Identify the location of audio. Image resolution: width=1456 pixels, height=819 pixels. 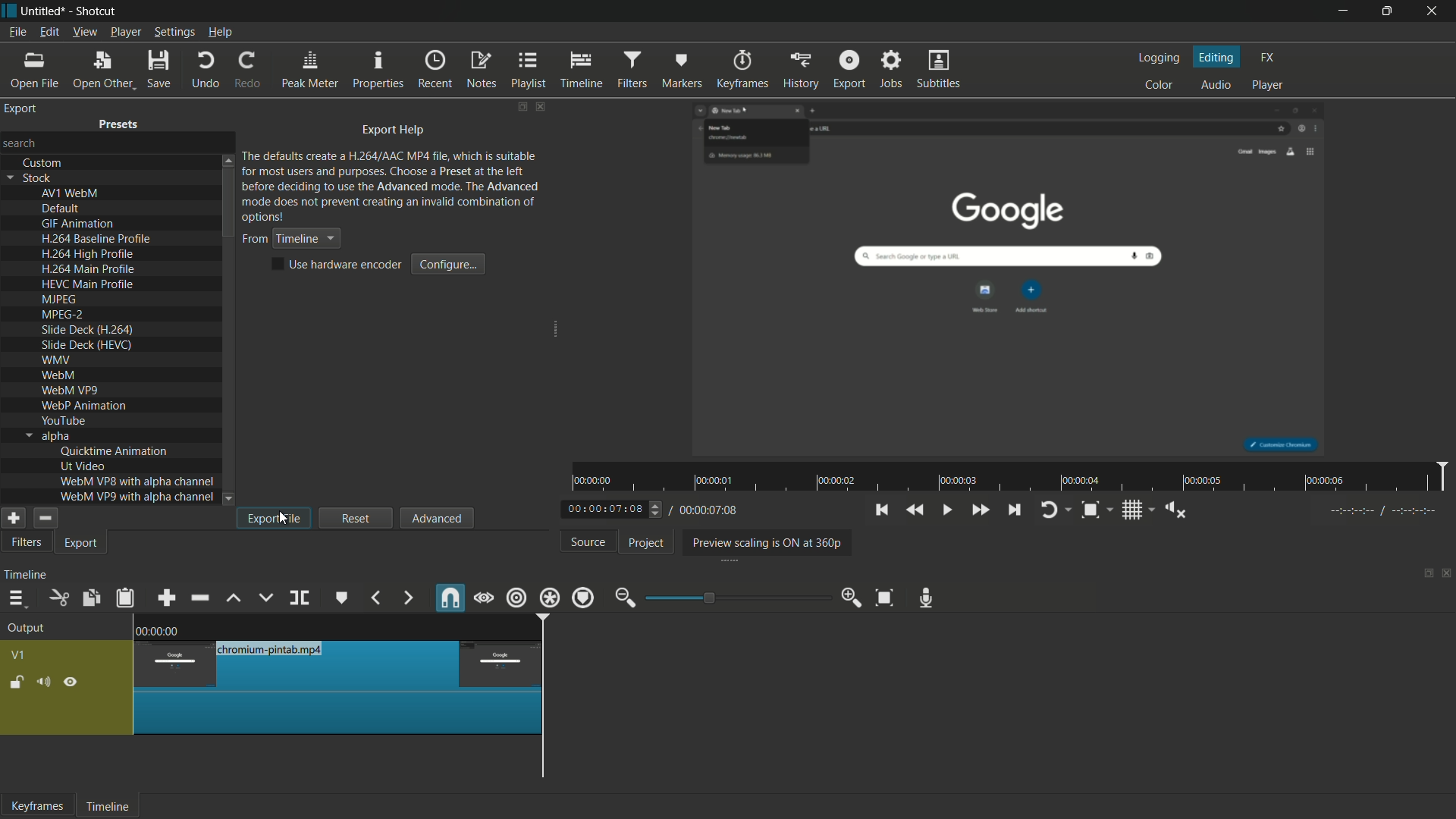
(1216, 86).